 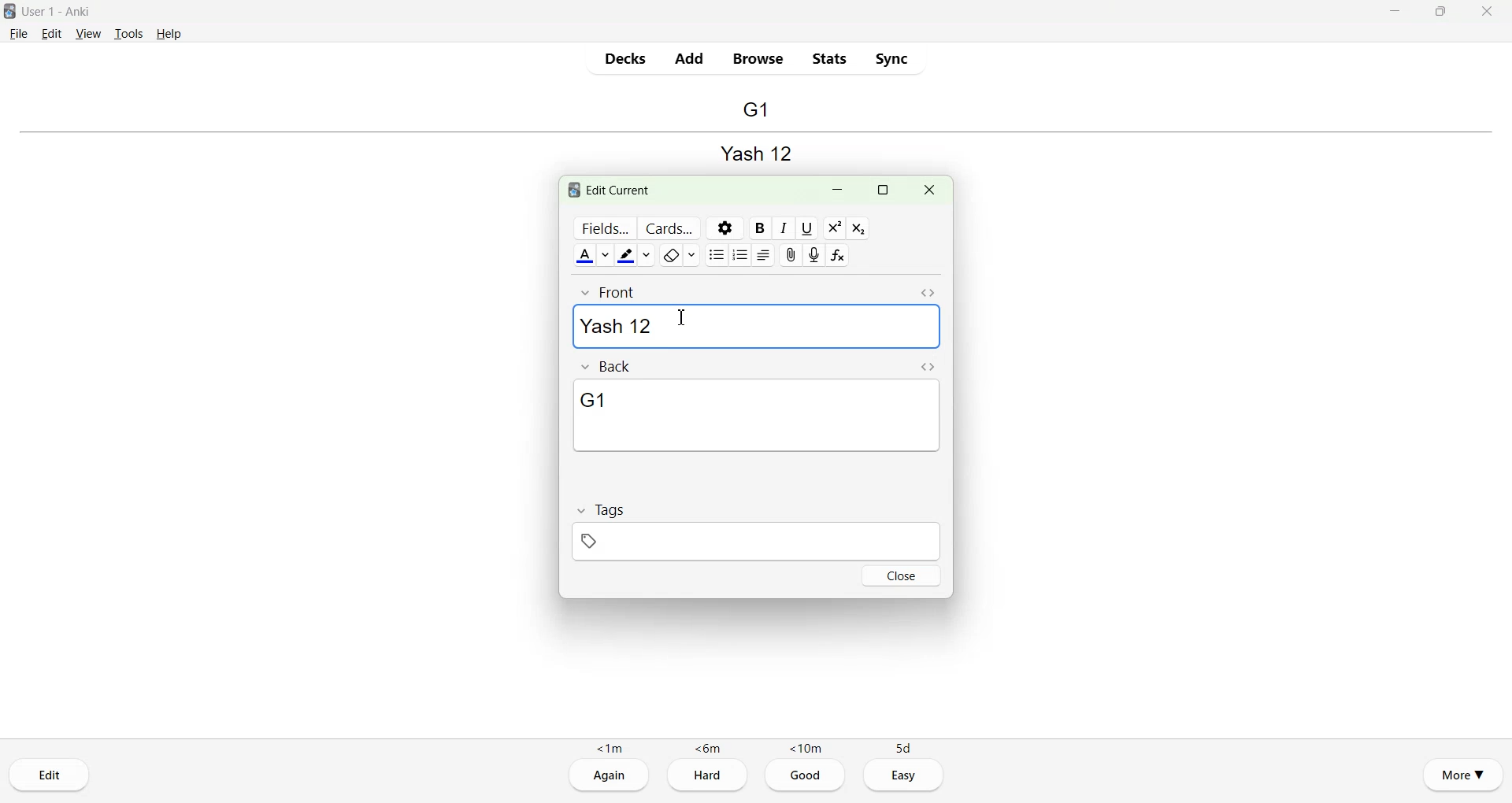 What do you see at coordinates (609, 776) in the screenshot?
I see `Again` at bounding box center [609, 776].